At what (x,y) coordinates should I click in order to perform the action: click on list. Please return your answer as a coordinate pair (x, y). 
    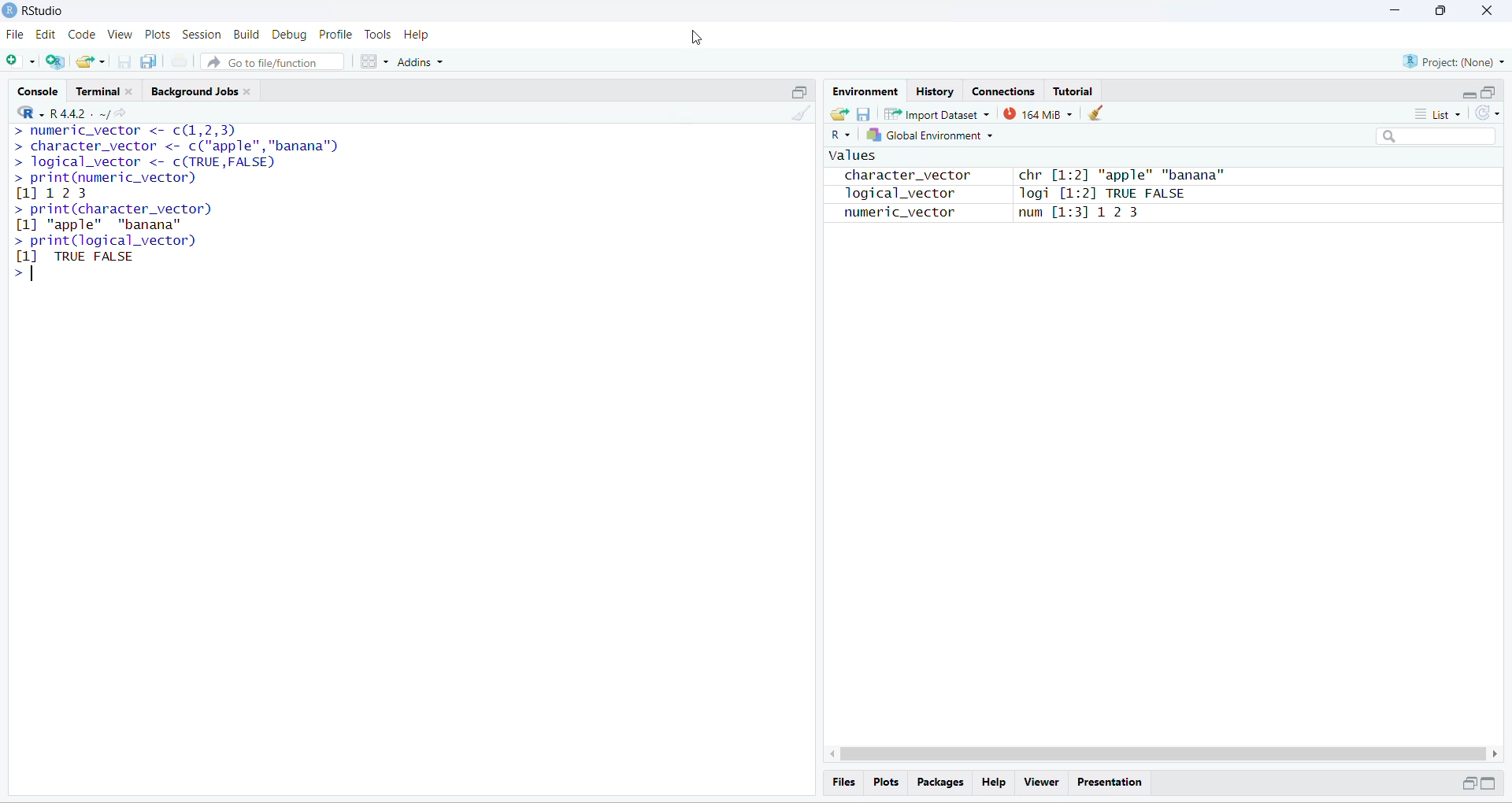
    Looking at the image, I should click on (1443, 113).